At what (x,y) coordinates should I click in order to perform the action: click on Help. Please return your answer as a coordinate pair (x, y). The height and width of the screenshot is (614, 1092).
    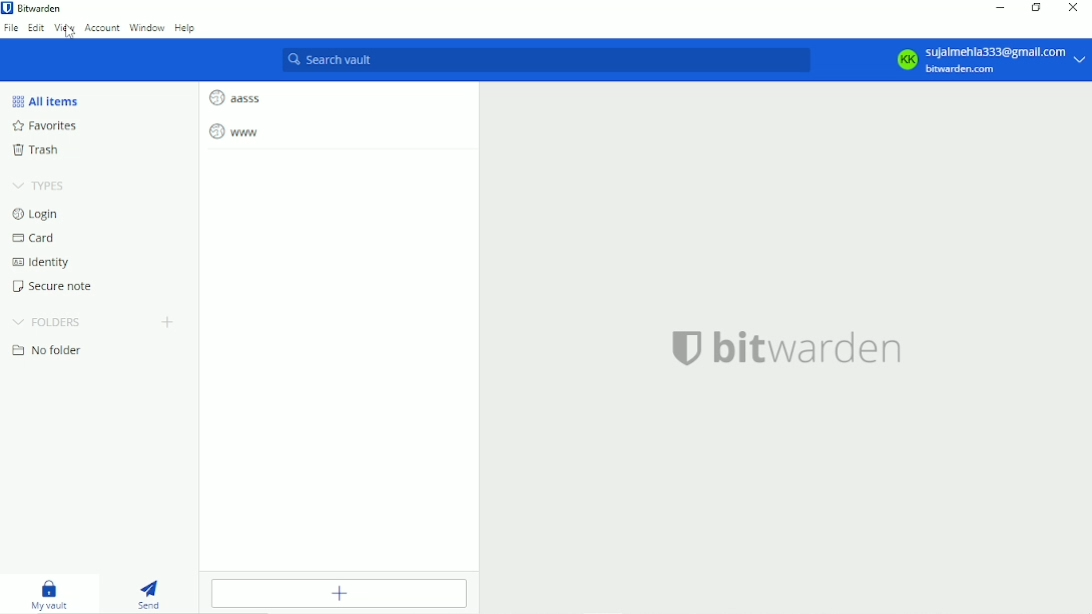
    Looking at the image, I should click on (187, 28).